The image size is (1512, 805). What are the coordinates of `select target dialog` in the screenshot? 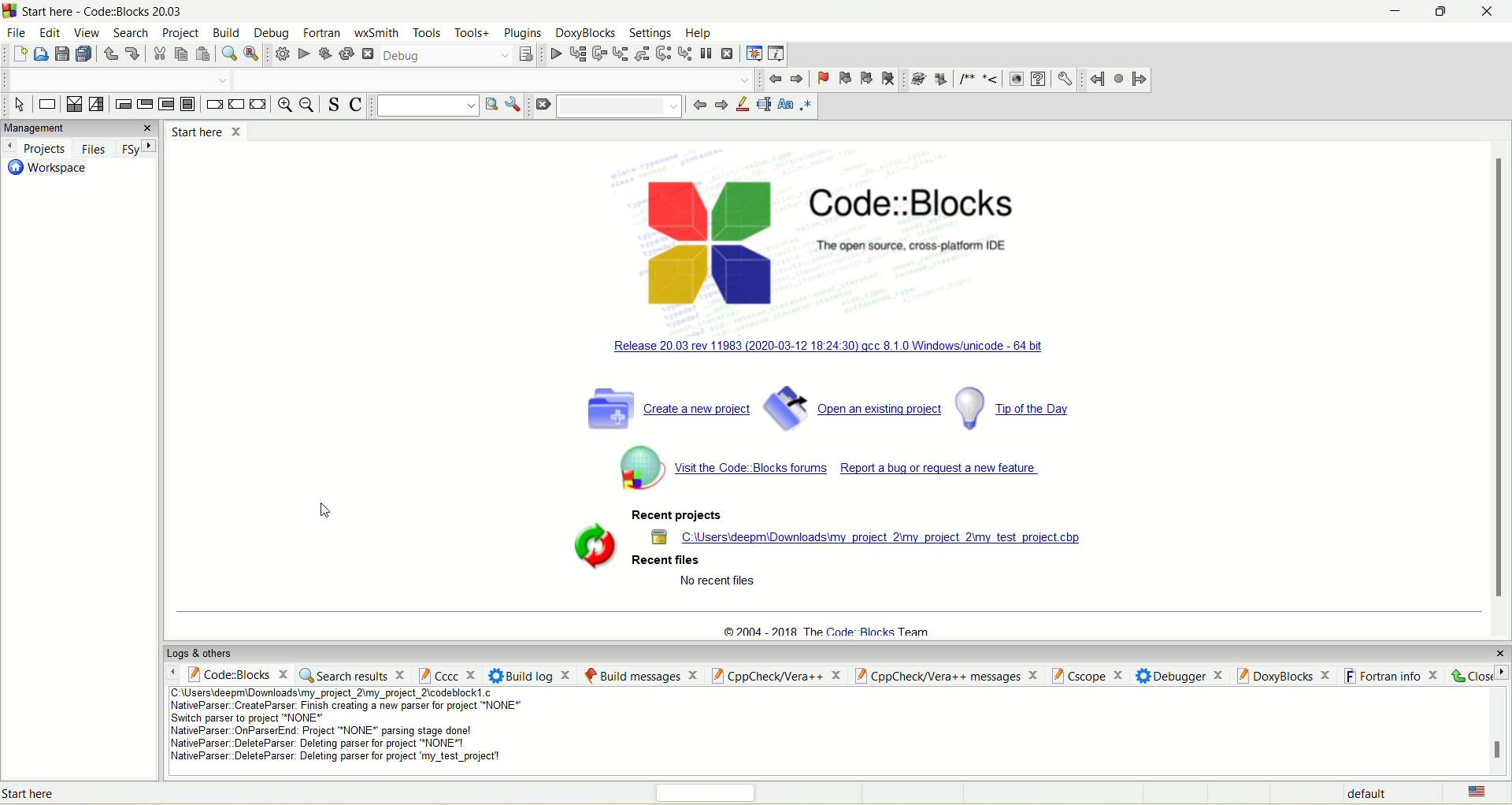 It's located at (529, 57).